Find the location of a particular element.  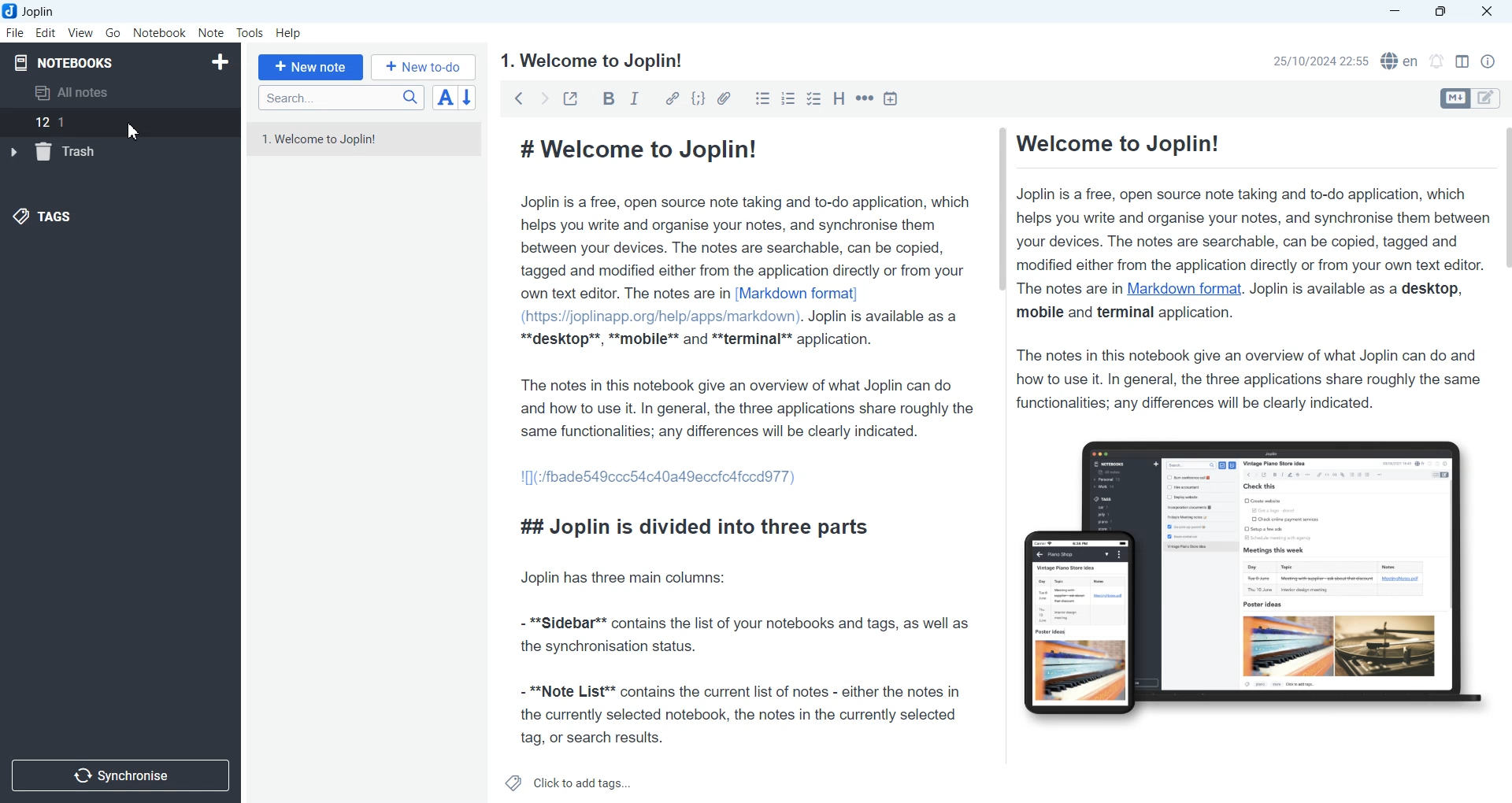

1. Welcome to Joplin! is located at coordinates (365, 139).